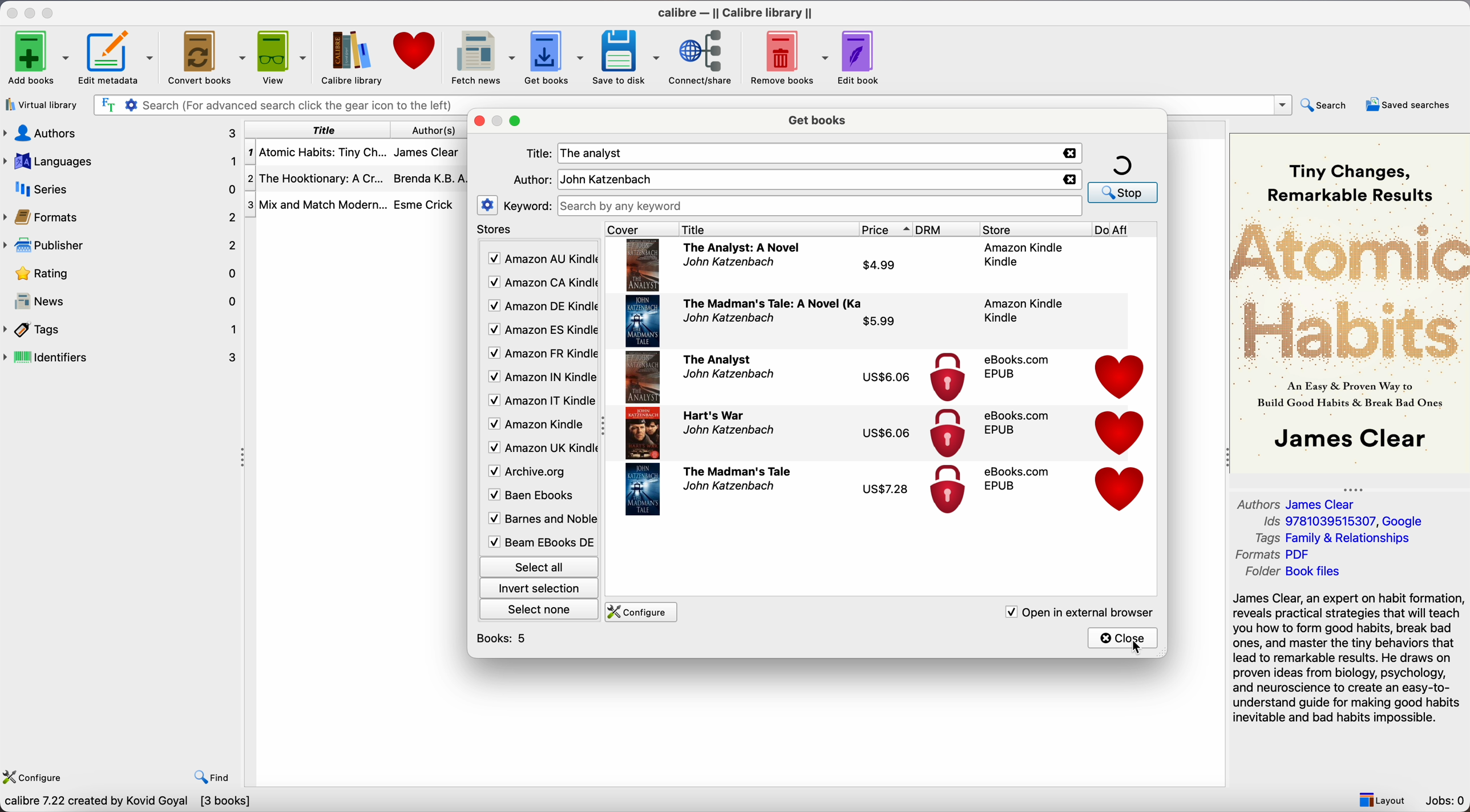  What do you see at coordinates (1298, 503) in the screenshot?
I see `Authors James Clear` at bounding box center [1298, 503].